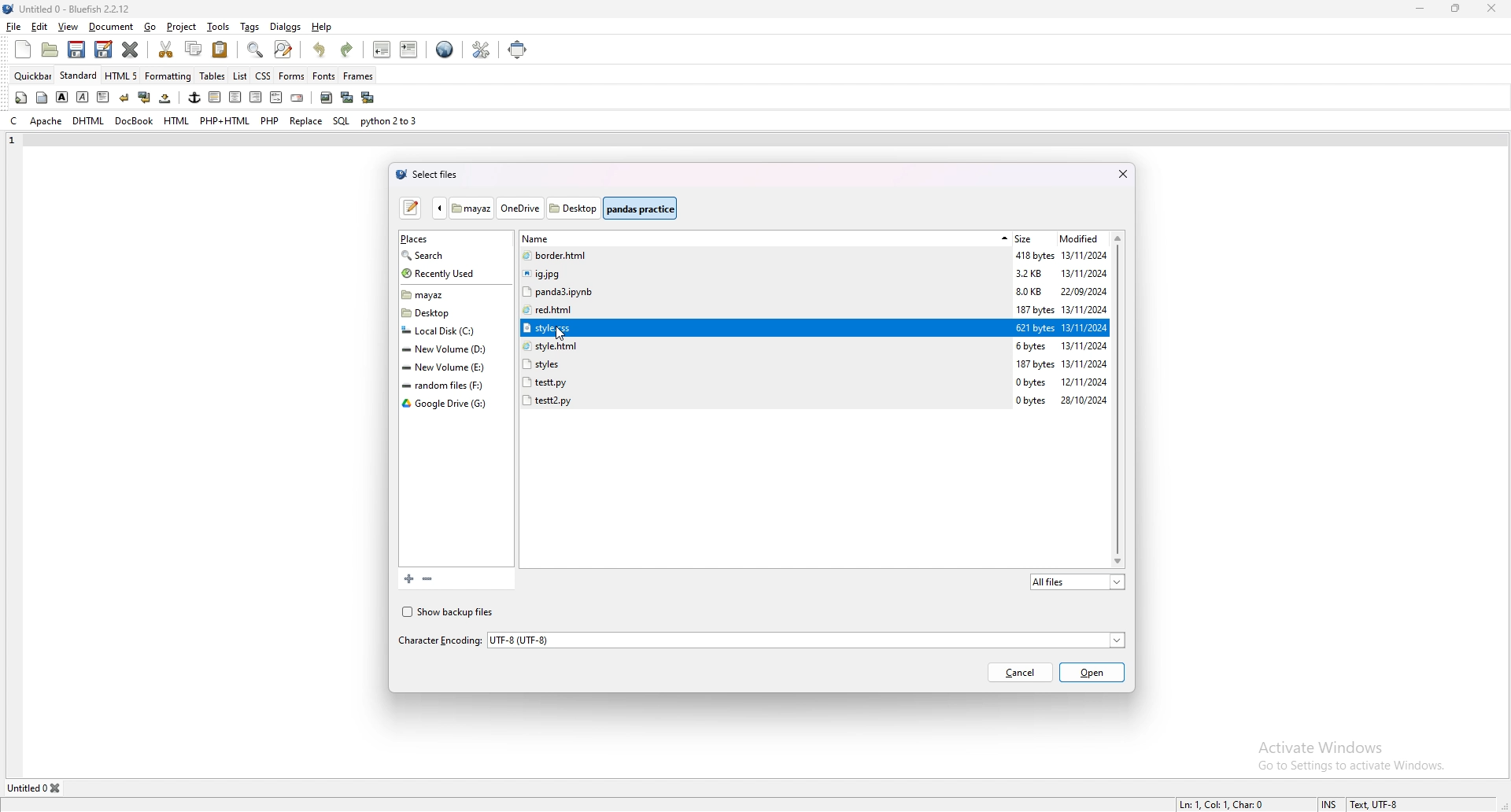  I want to click on character encoding, so click(760, 640).